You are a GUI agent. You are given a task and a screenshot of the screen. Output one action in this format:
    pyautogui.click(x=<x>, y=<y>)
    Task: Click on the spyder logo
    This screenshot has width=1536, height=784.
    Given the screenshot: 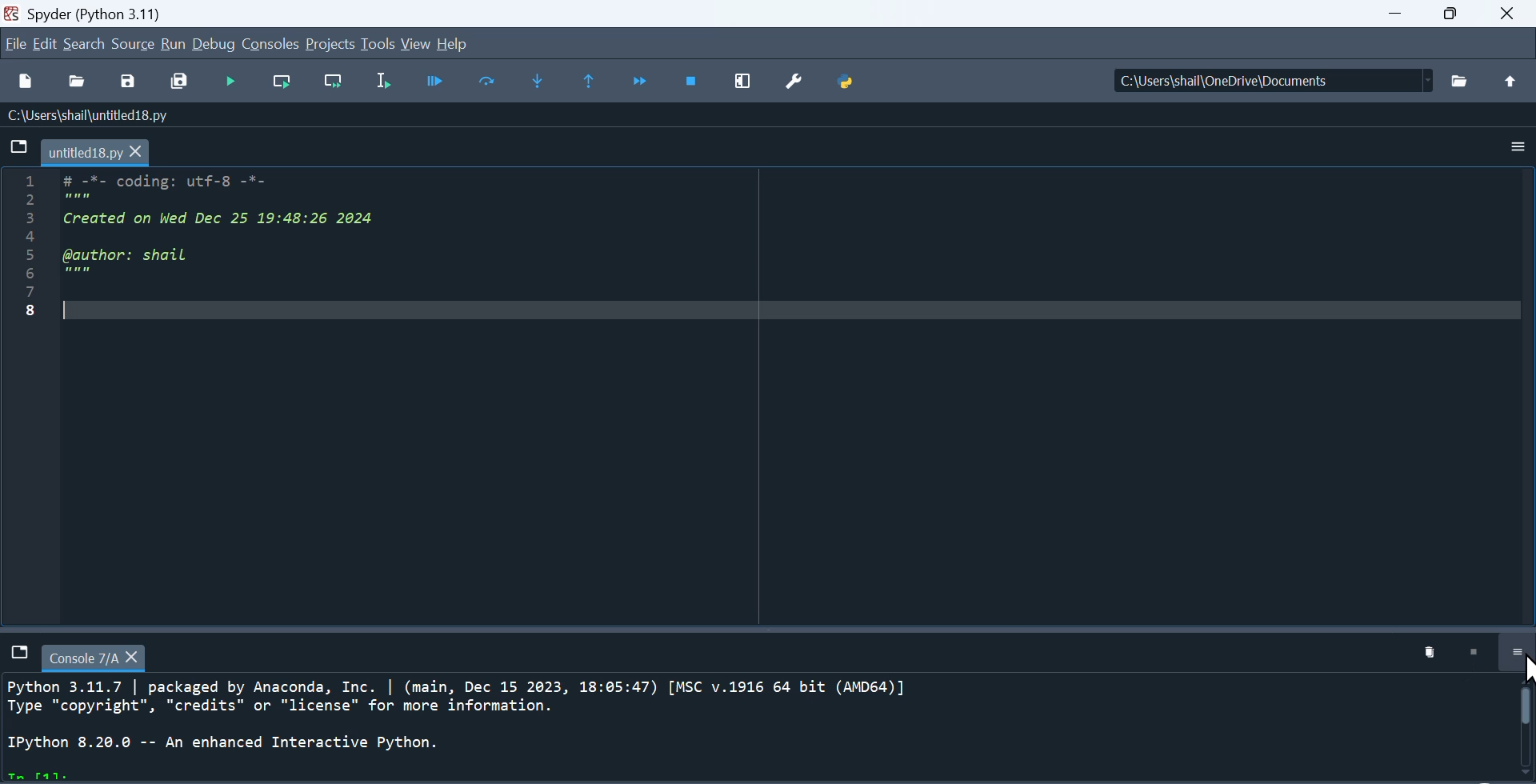 What is the action you would take?
    pyautogui.click(x=13, y=14)
    